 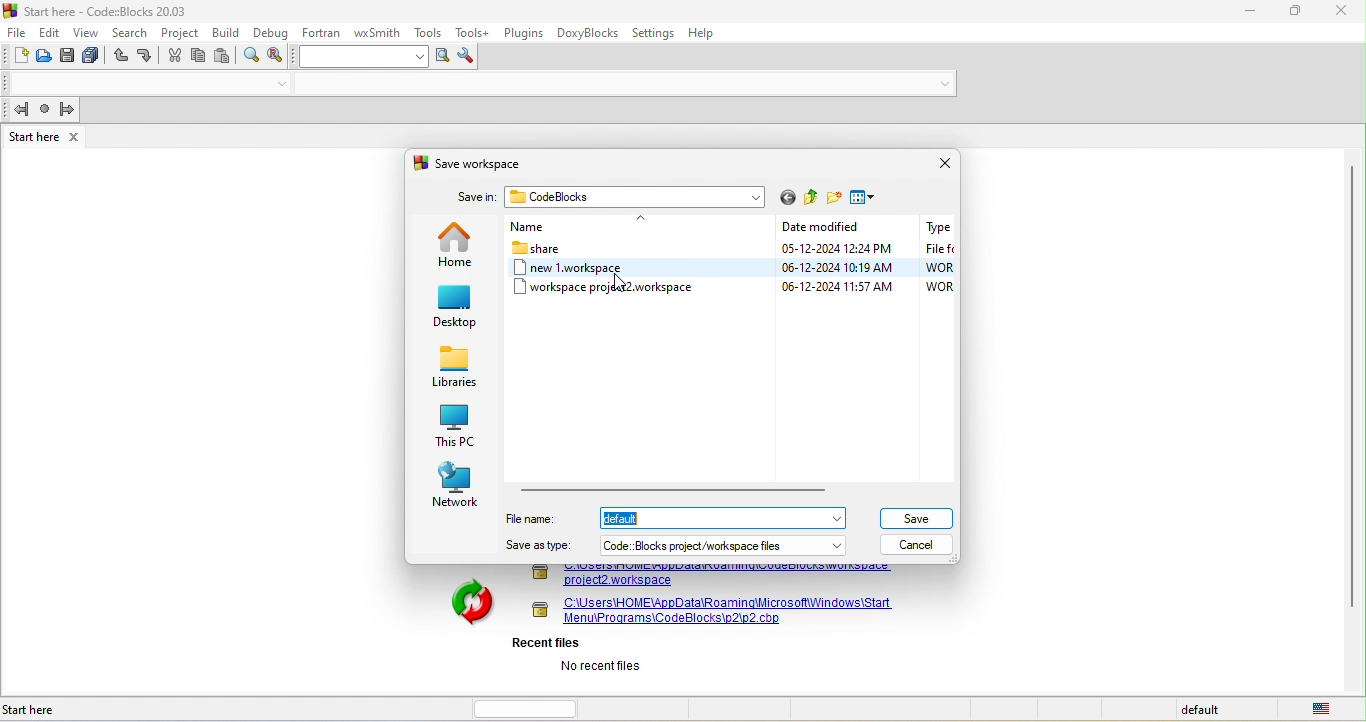 I want to click on Code: Blocks project/workspace files , so click(x=724, y=545).